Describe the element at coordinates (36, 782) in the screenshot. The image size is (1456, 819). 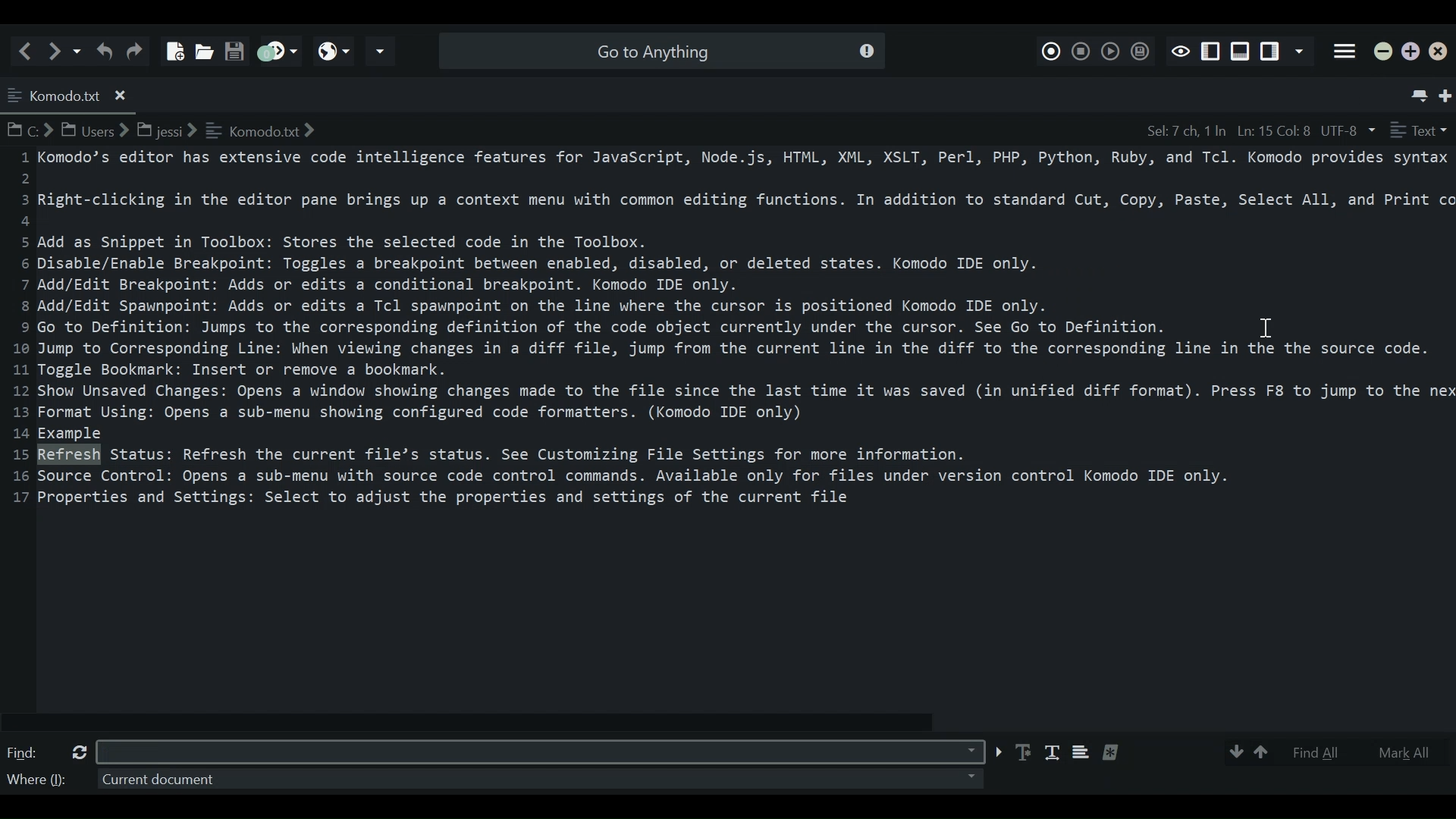
I see `Where` at that location.